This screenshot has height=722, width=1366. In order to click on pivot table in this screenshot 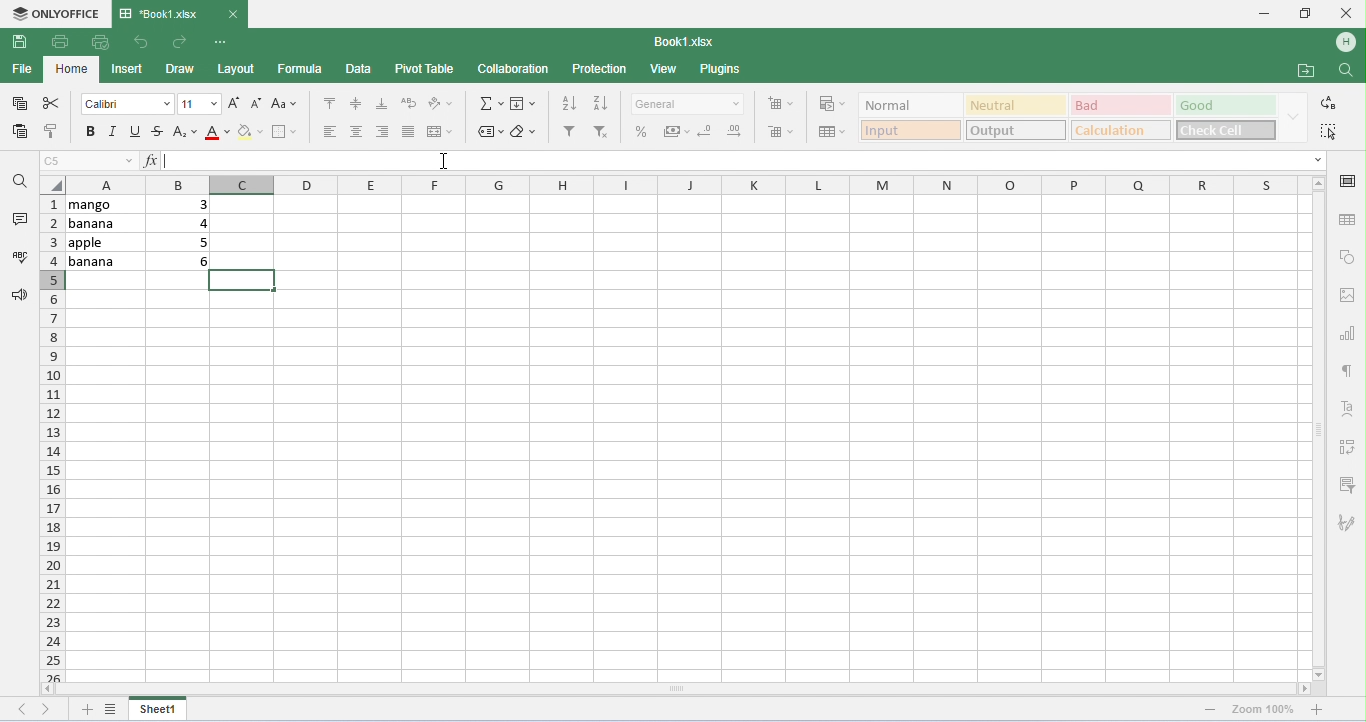, I will do `click(425, 69)`.